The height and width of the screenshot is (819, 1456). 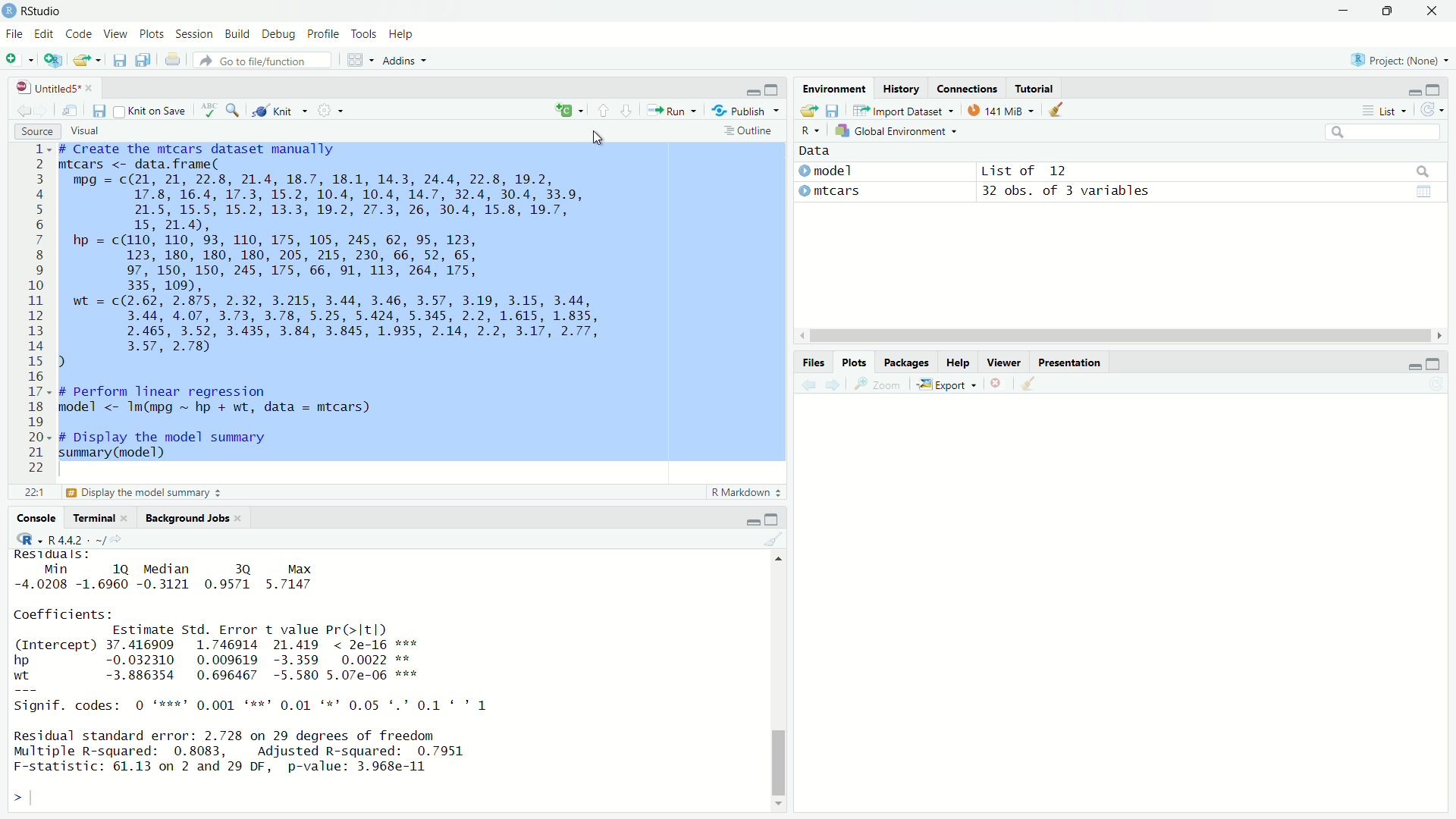 What do you see at coordinates (1345, 11) in the screenshot?
I see `minimize` at bounding box center [1345, 11].